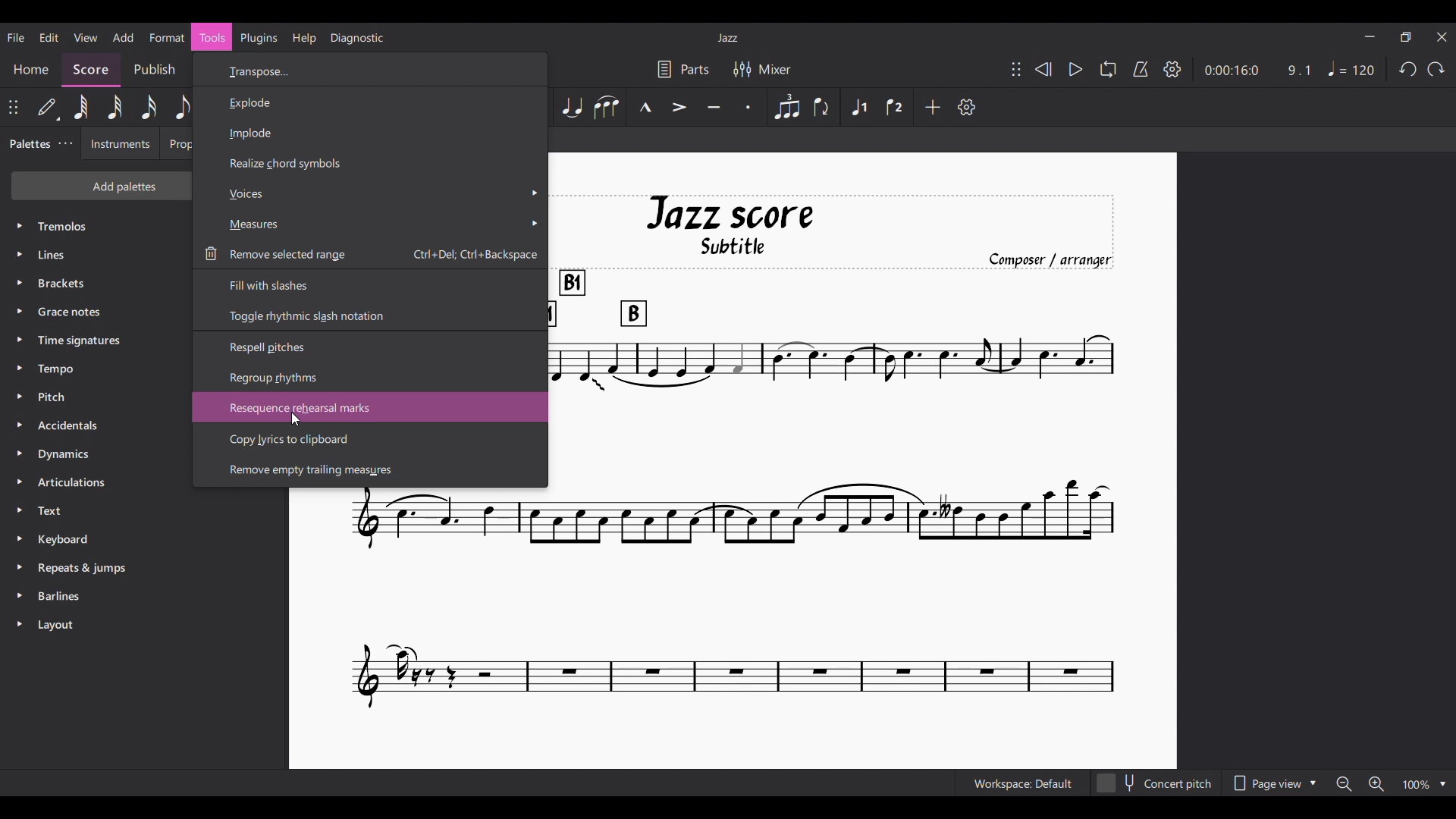 The height and width of the screenshot is (819, 1456). What do you see at coordinates (296, 419) in the screenshot?
I see `Cursor` at bounding box center [296, 419].